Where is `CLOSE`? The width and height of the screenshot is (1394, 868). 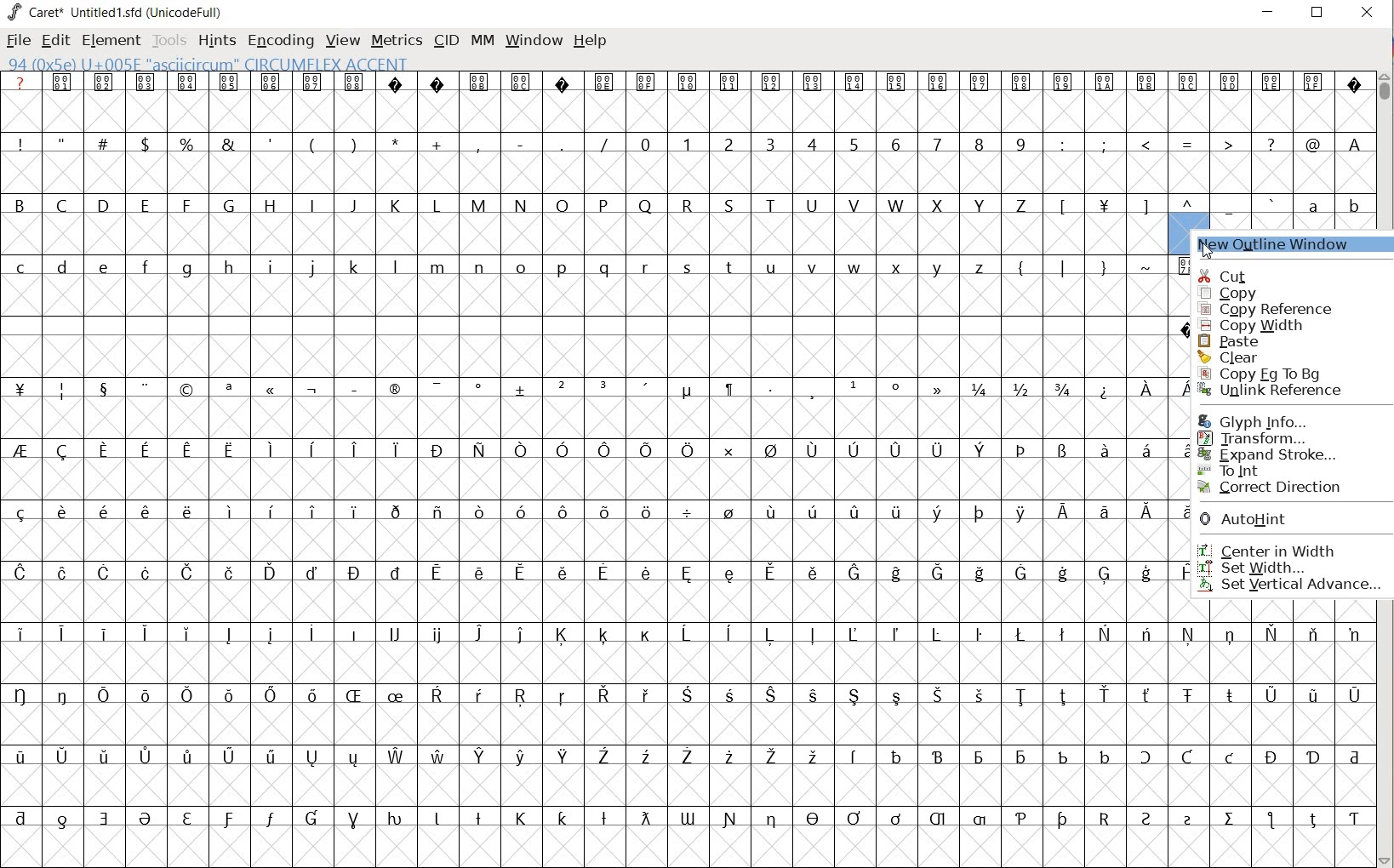 CLOSE is located at coordinates (1365, 14).